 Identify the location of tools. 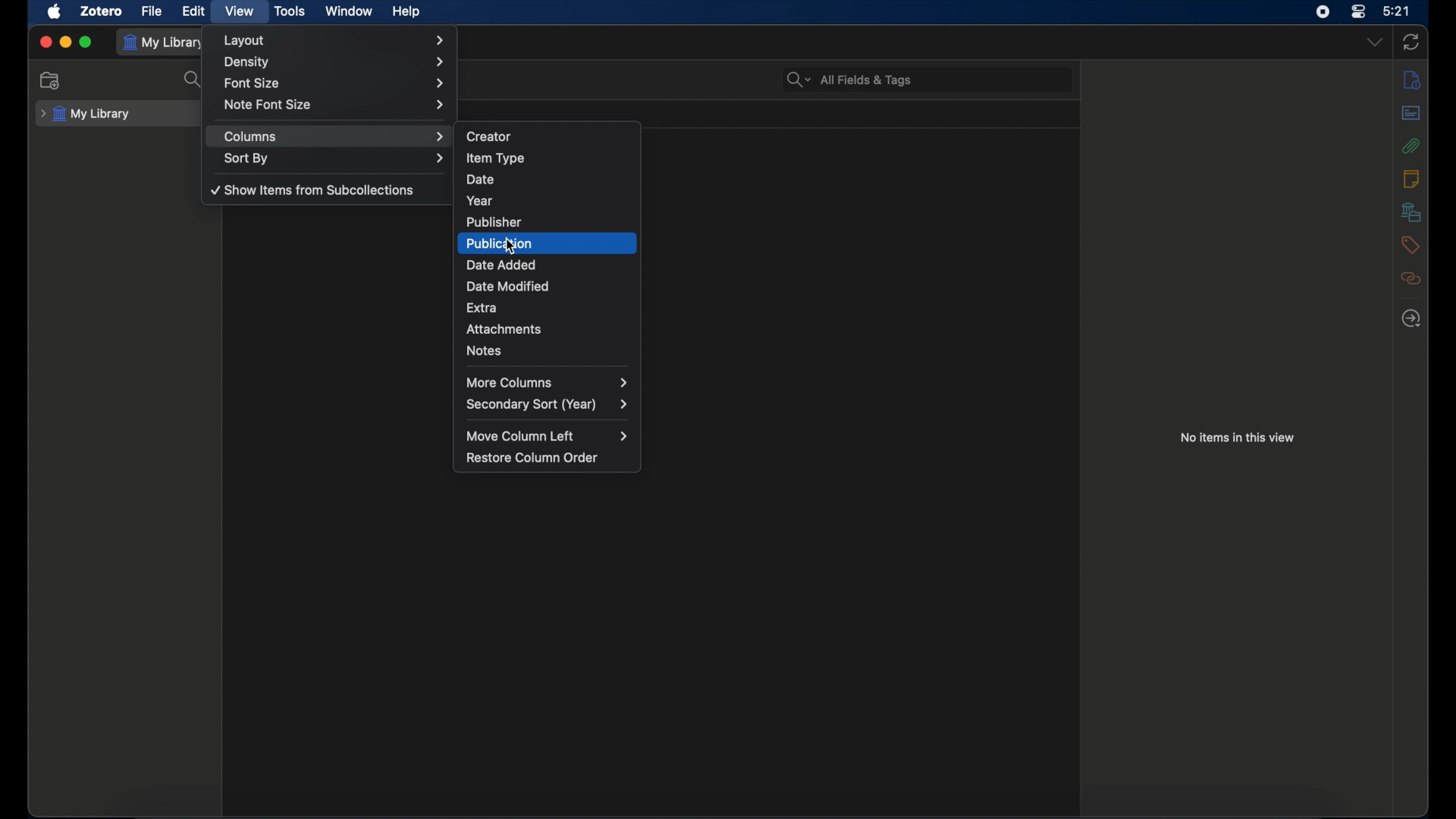
(290, 11).